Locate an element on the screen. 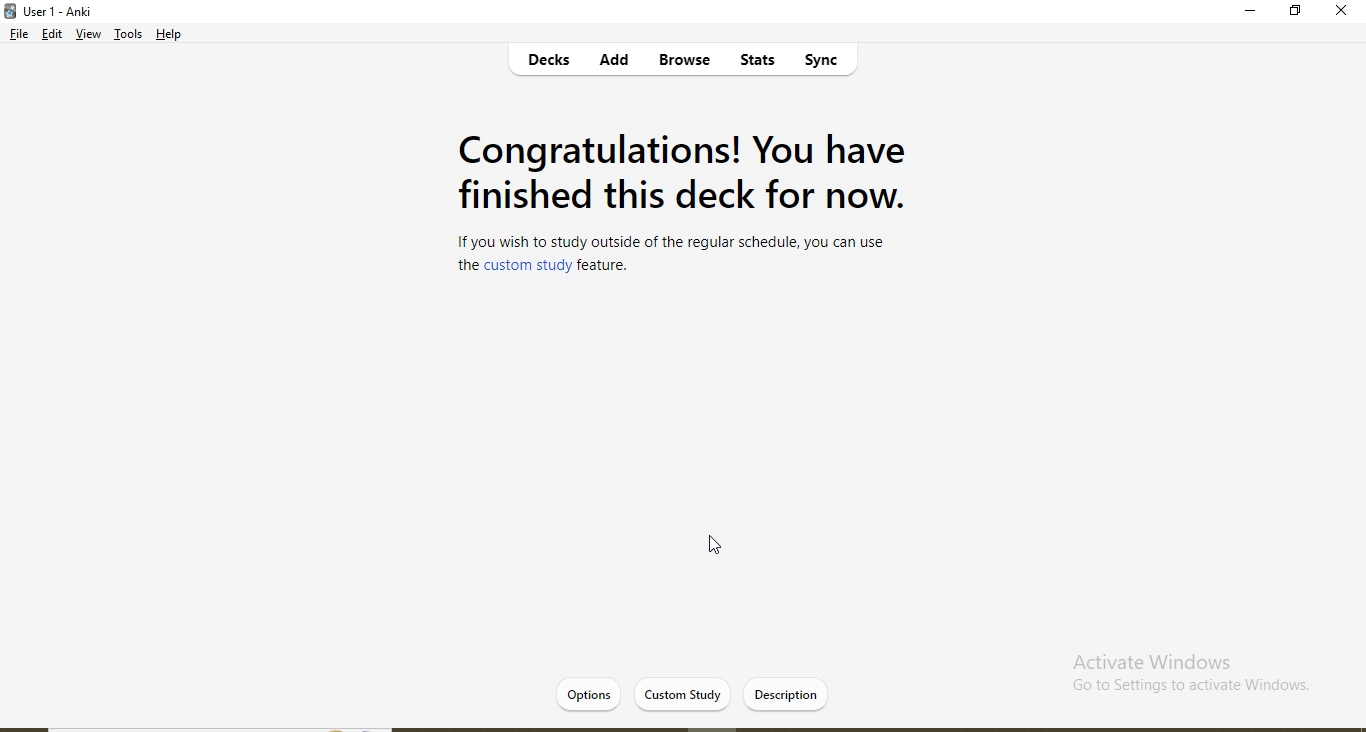  stats is located at coordinates (754, 63).